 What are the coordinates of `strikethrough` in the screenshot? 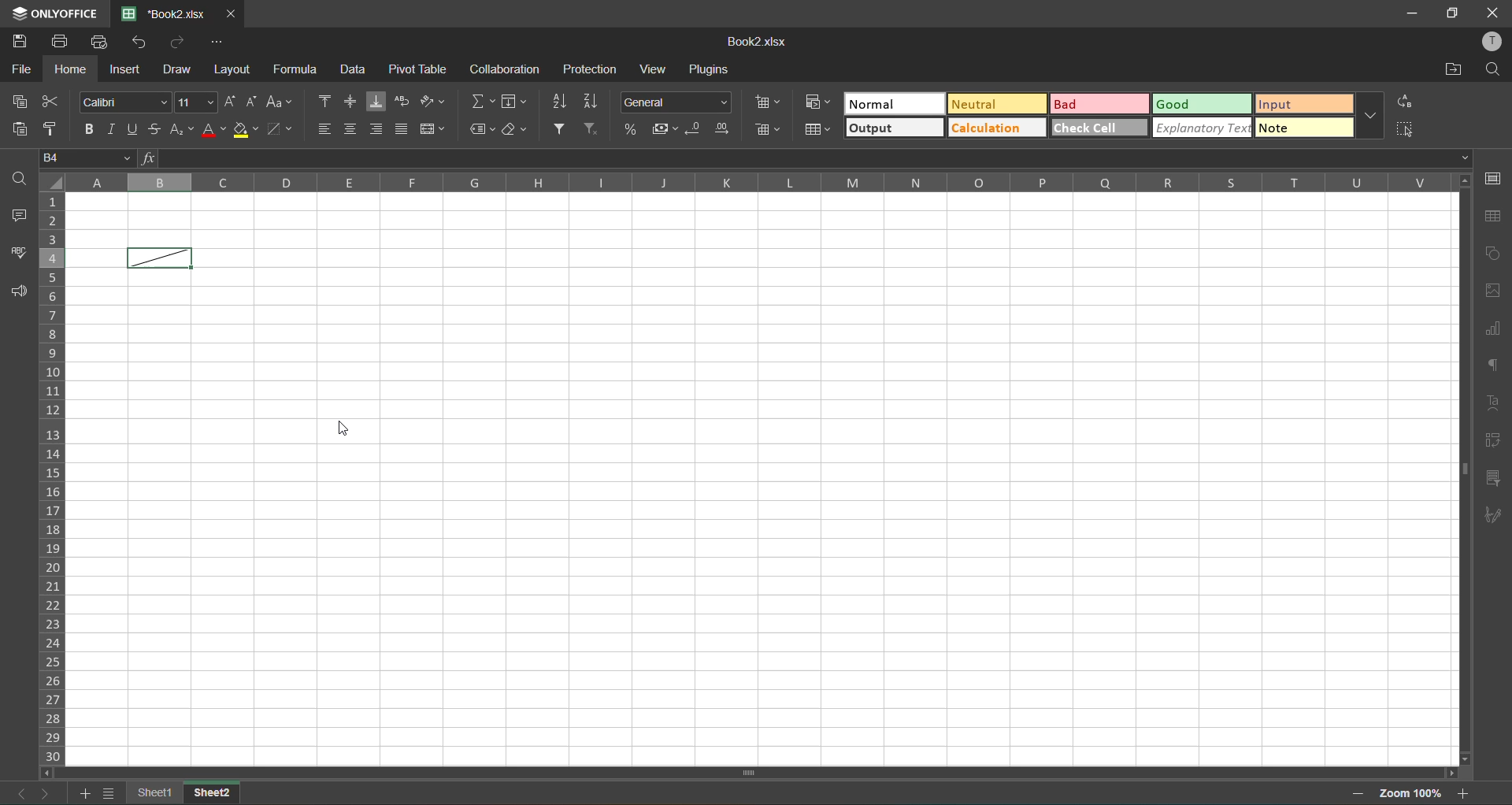 It's located at (156, 129).